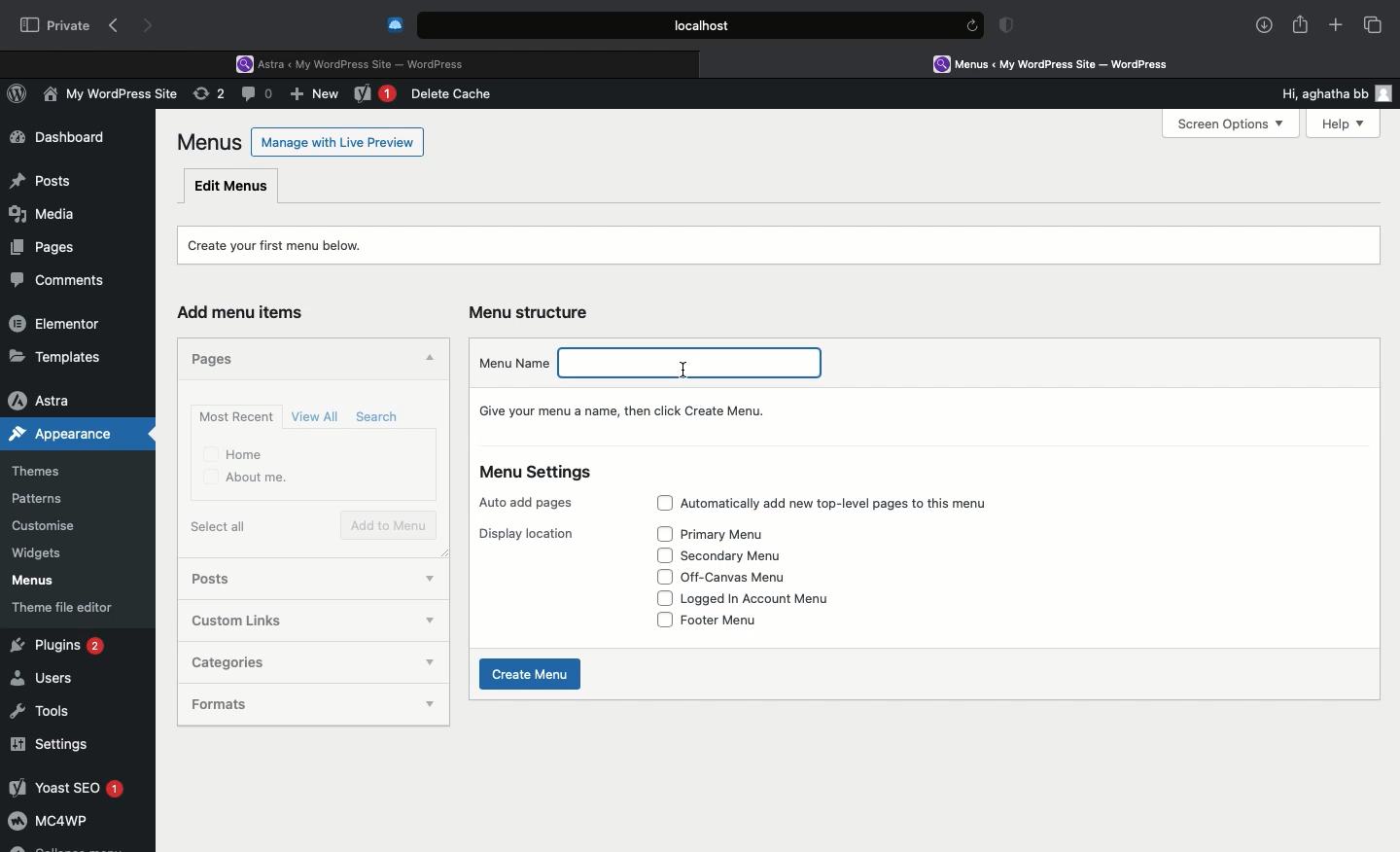 Image resolution: width=1400 pixels, height=852 pixels. What do you see at coordinates (629, 410) in the screenshot?
I see `Give your menu a name, then click Create Menu` at bounding box center [629, 410].